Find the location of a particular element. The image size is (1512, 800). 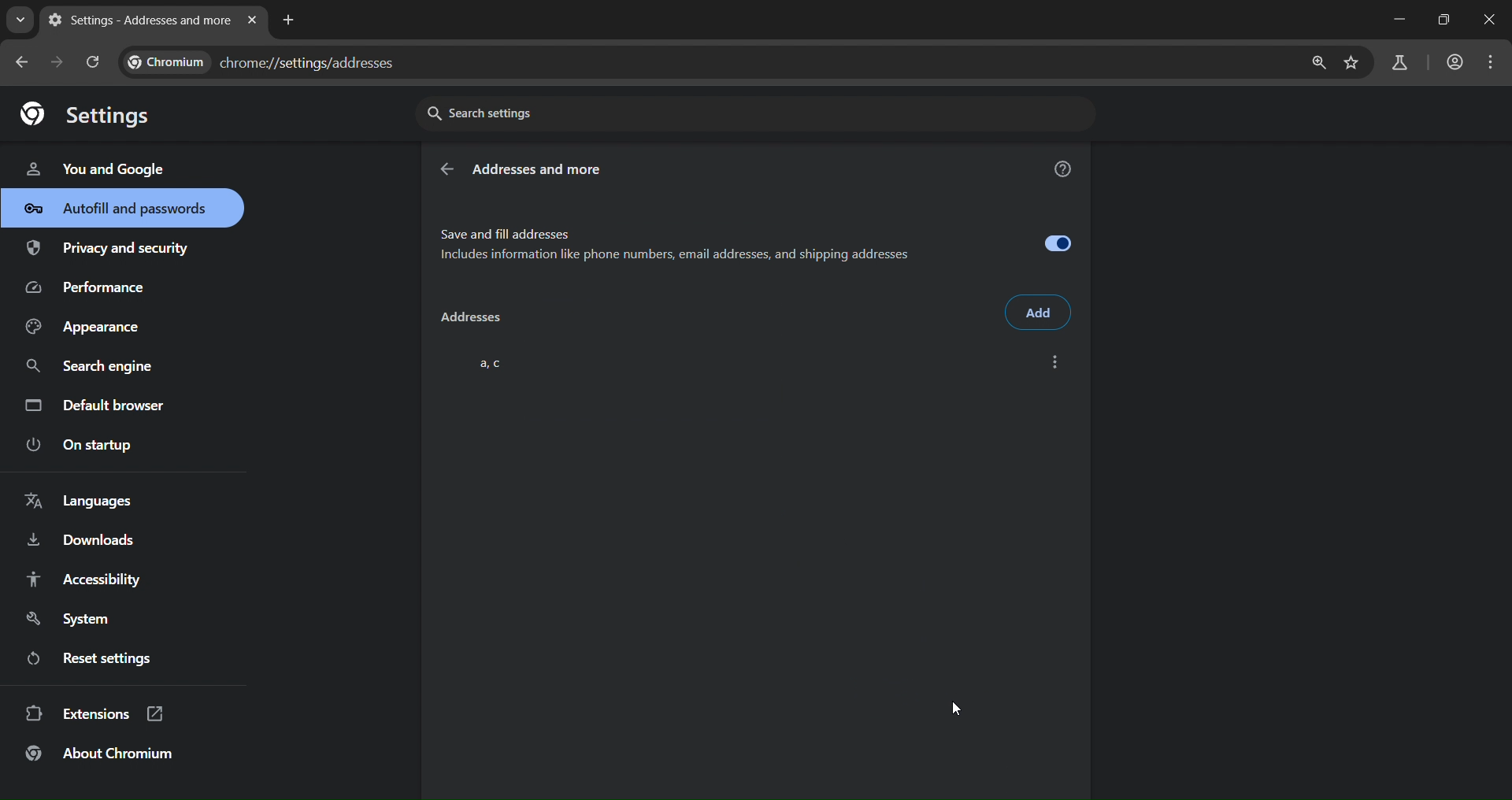

downloads is located at coordinates (80, 543).